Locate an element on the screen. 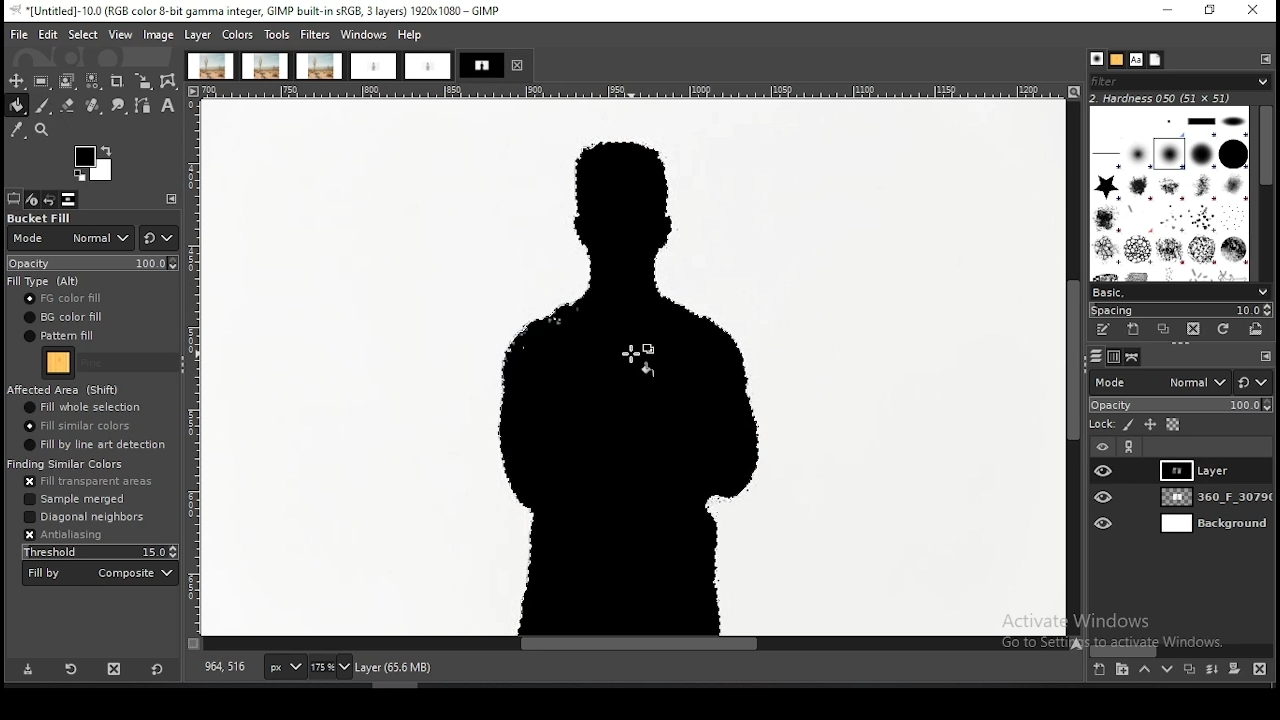  configure this tab is located at coordinates (1265, 59).